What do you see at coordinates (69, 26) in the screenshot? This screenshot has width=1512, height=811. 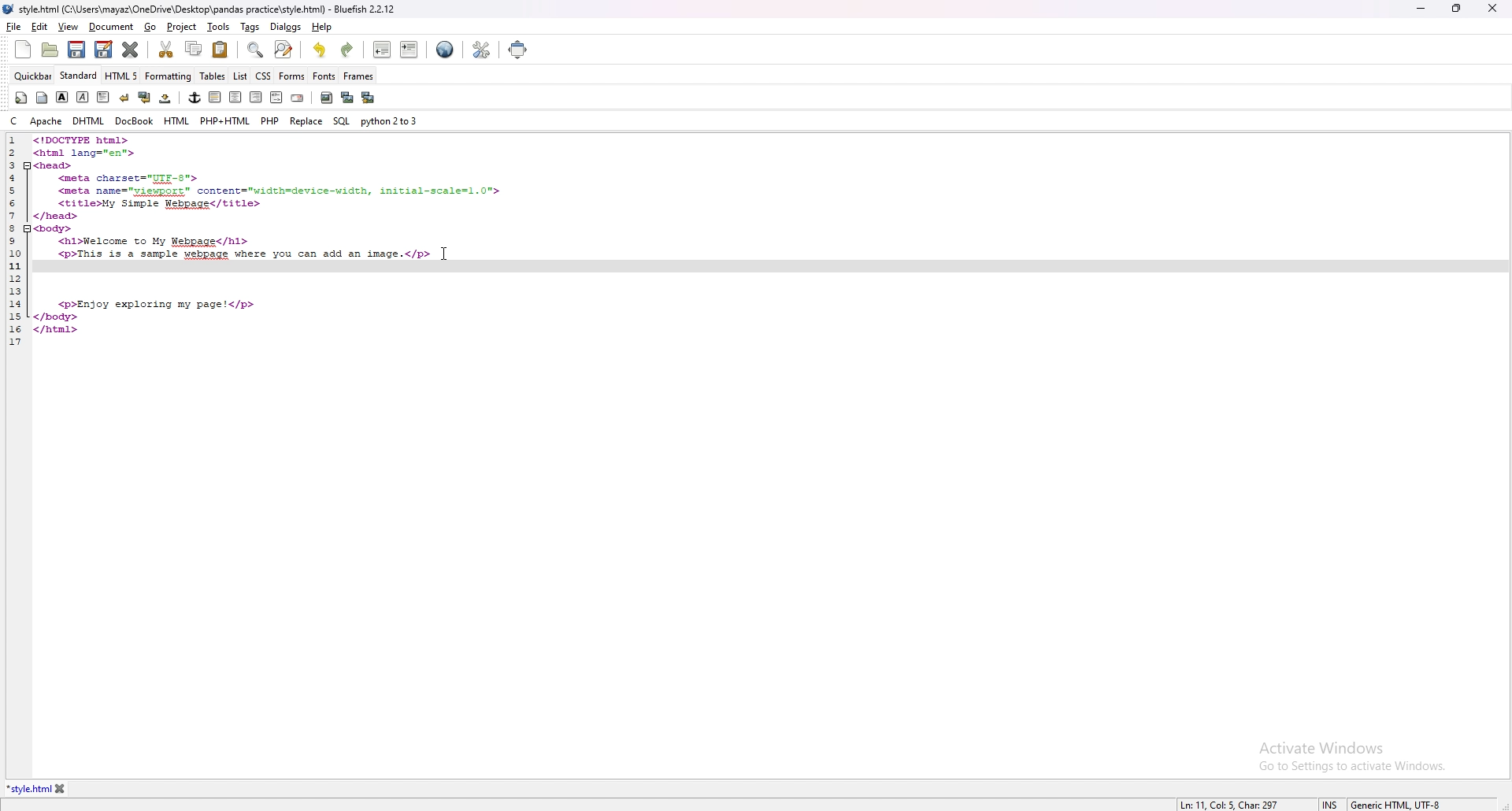 I see `view` at bounding box center [69, 26].